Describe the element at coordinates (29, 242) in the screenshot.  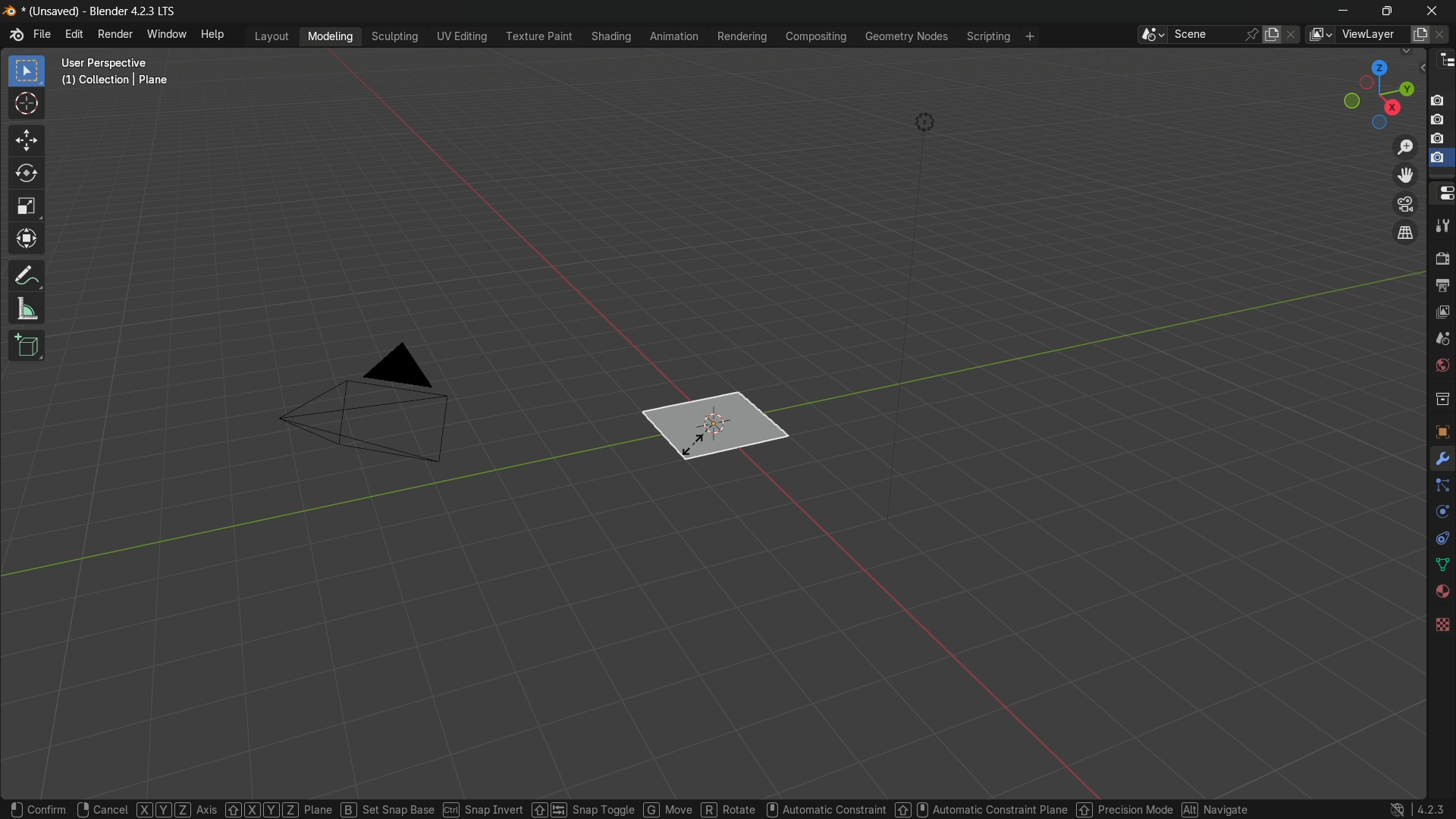
I see `transform` at that location.